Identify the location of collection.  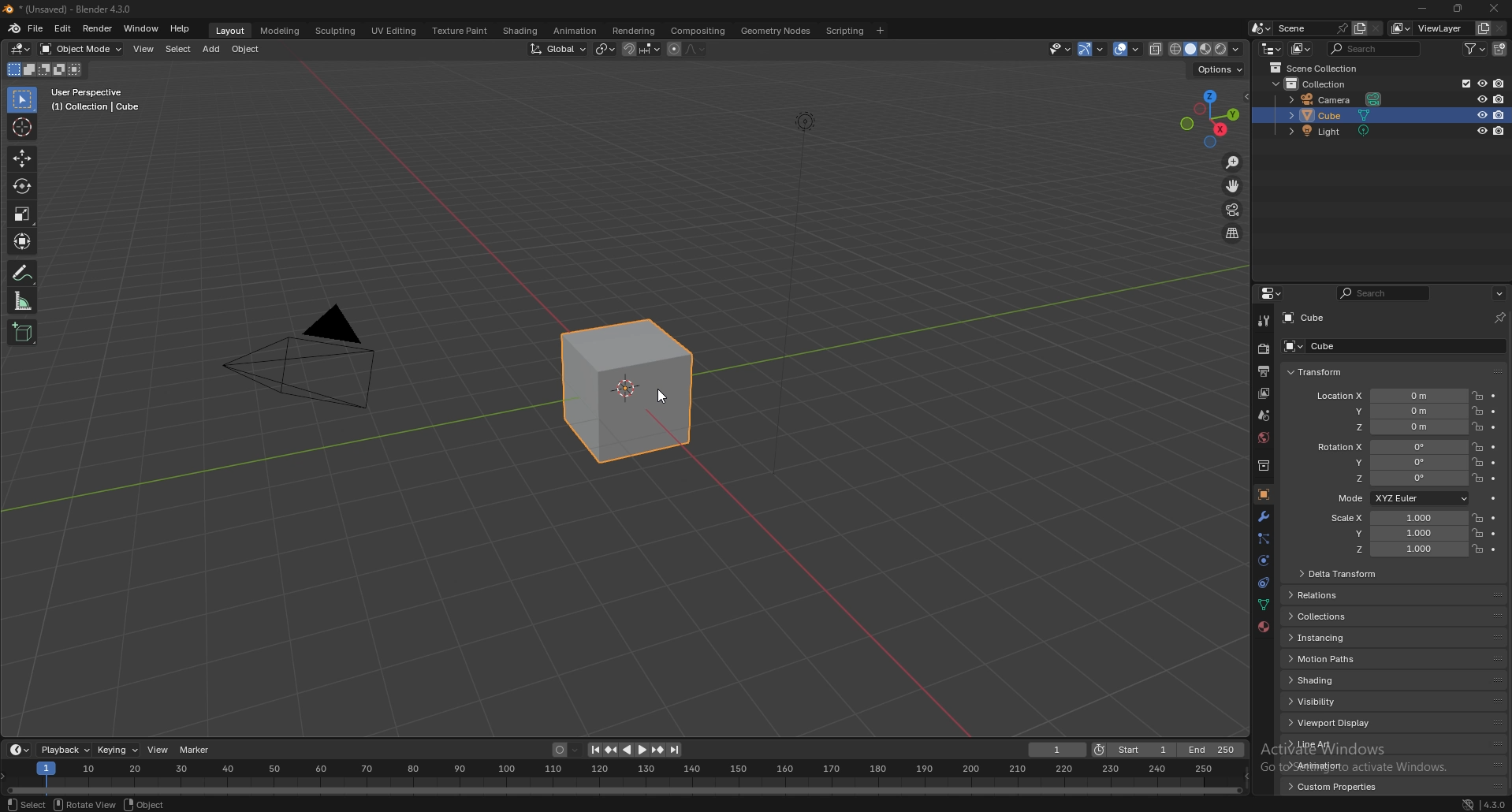
(1264, 466).